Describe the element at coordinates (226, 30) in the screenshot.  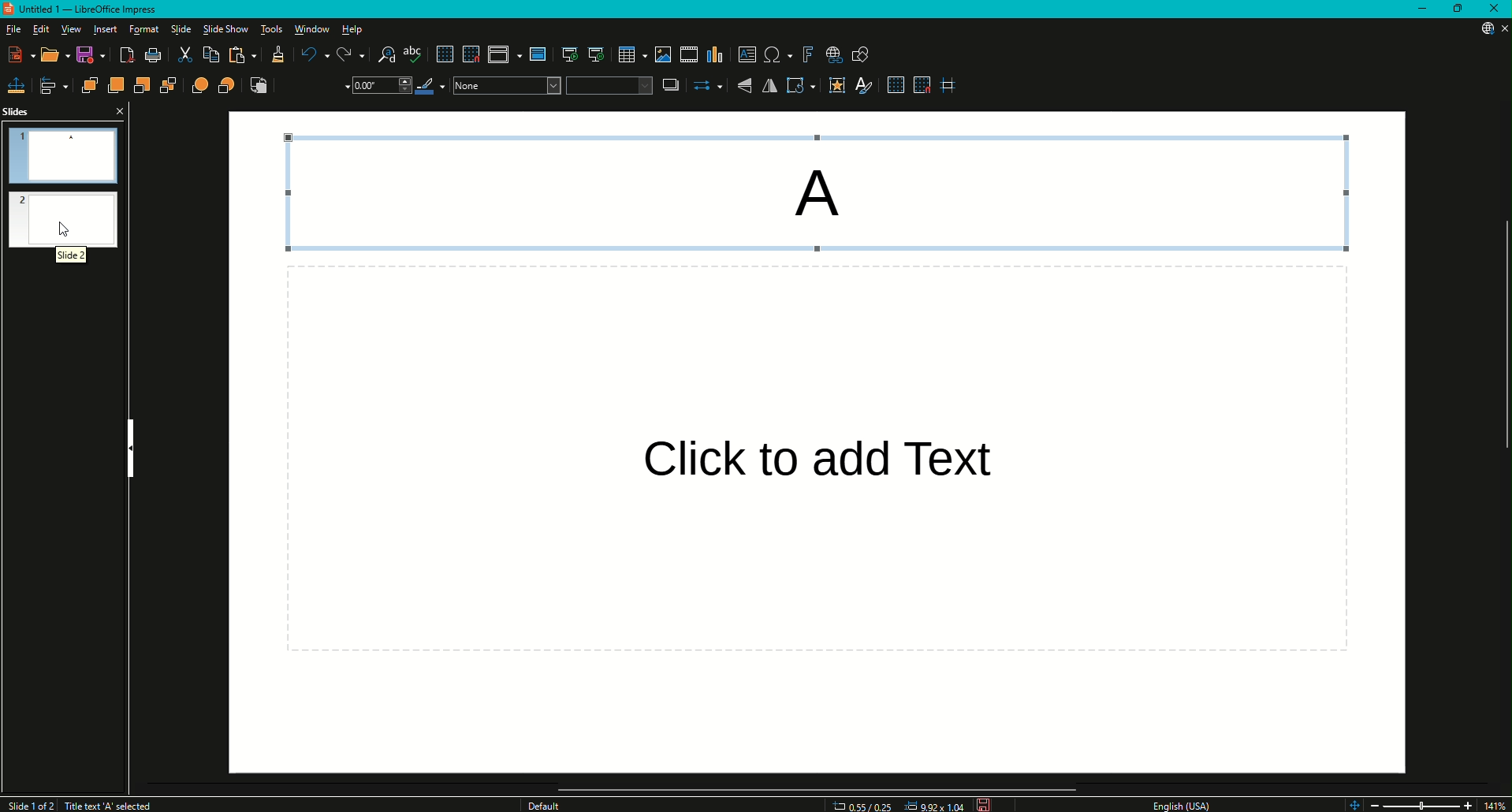
I see `Slide Show` at that location.